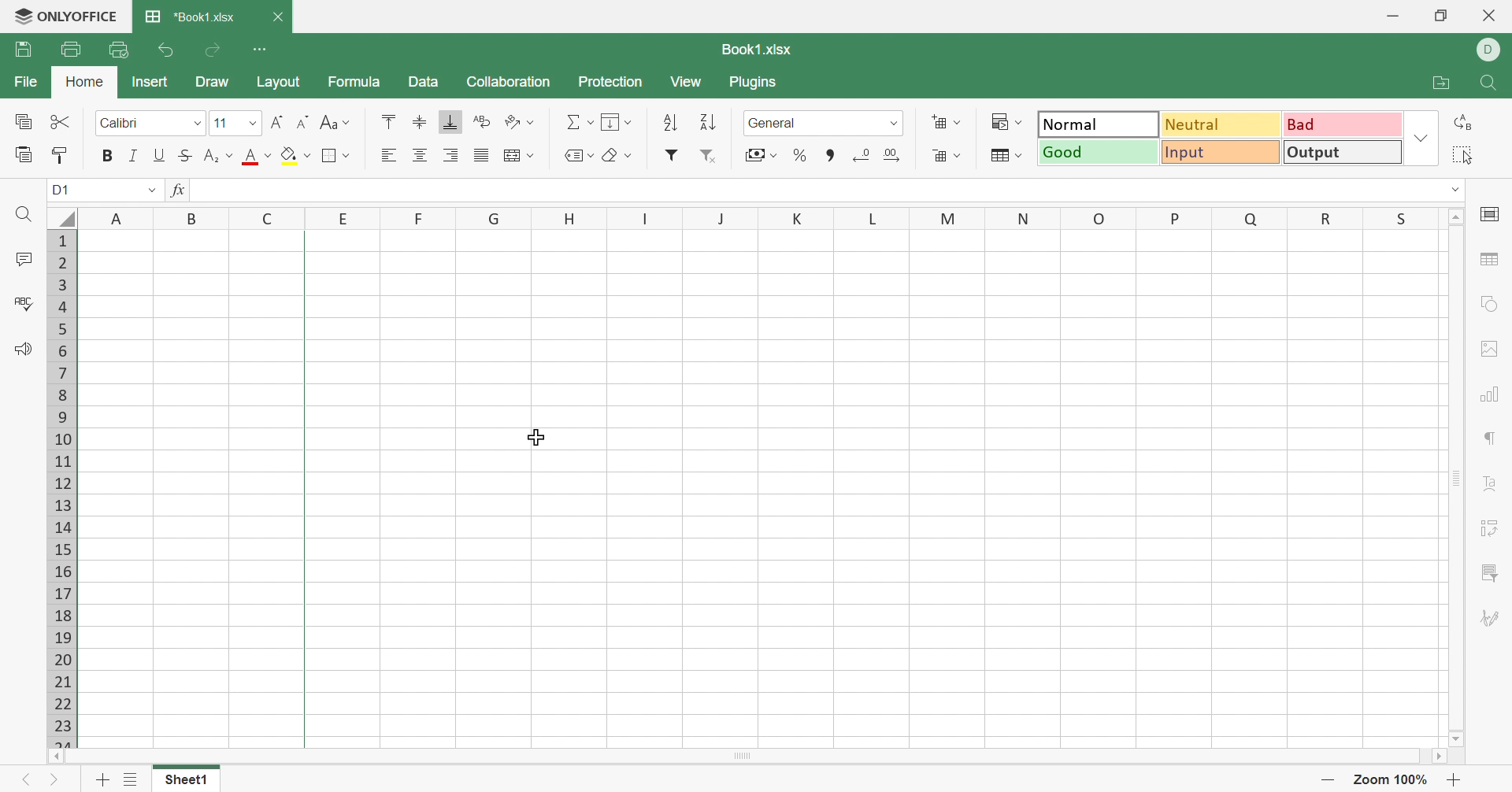  I want to click on Previous, so click(23, 779).